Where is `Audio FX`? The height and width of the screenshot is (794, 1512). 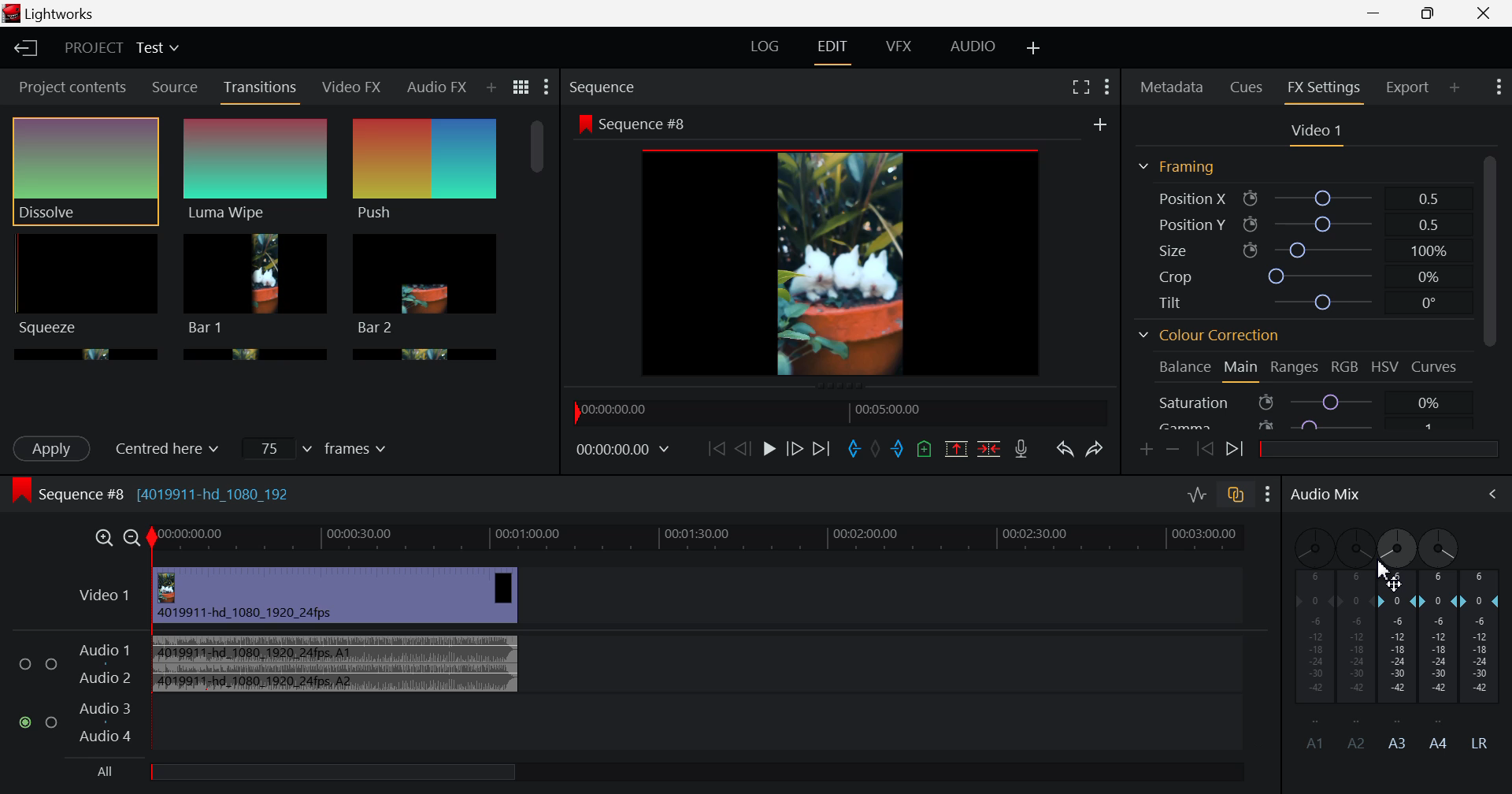
Audio FX is located at coordinates (435, 90).